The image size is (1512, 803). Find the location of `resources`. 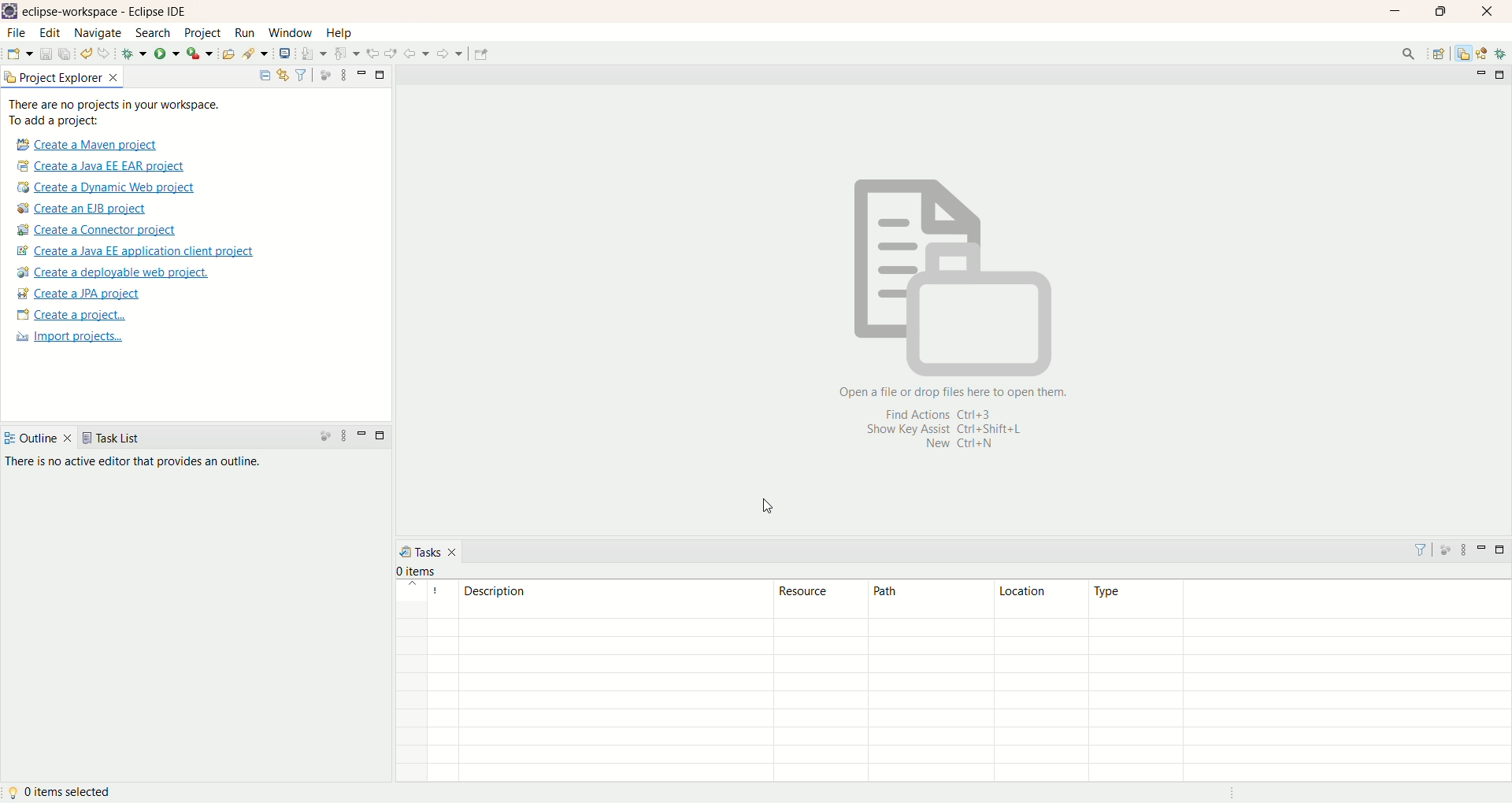

resources is located at coordinates (820, 680).